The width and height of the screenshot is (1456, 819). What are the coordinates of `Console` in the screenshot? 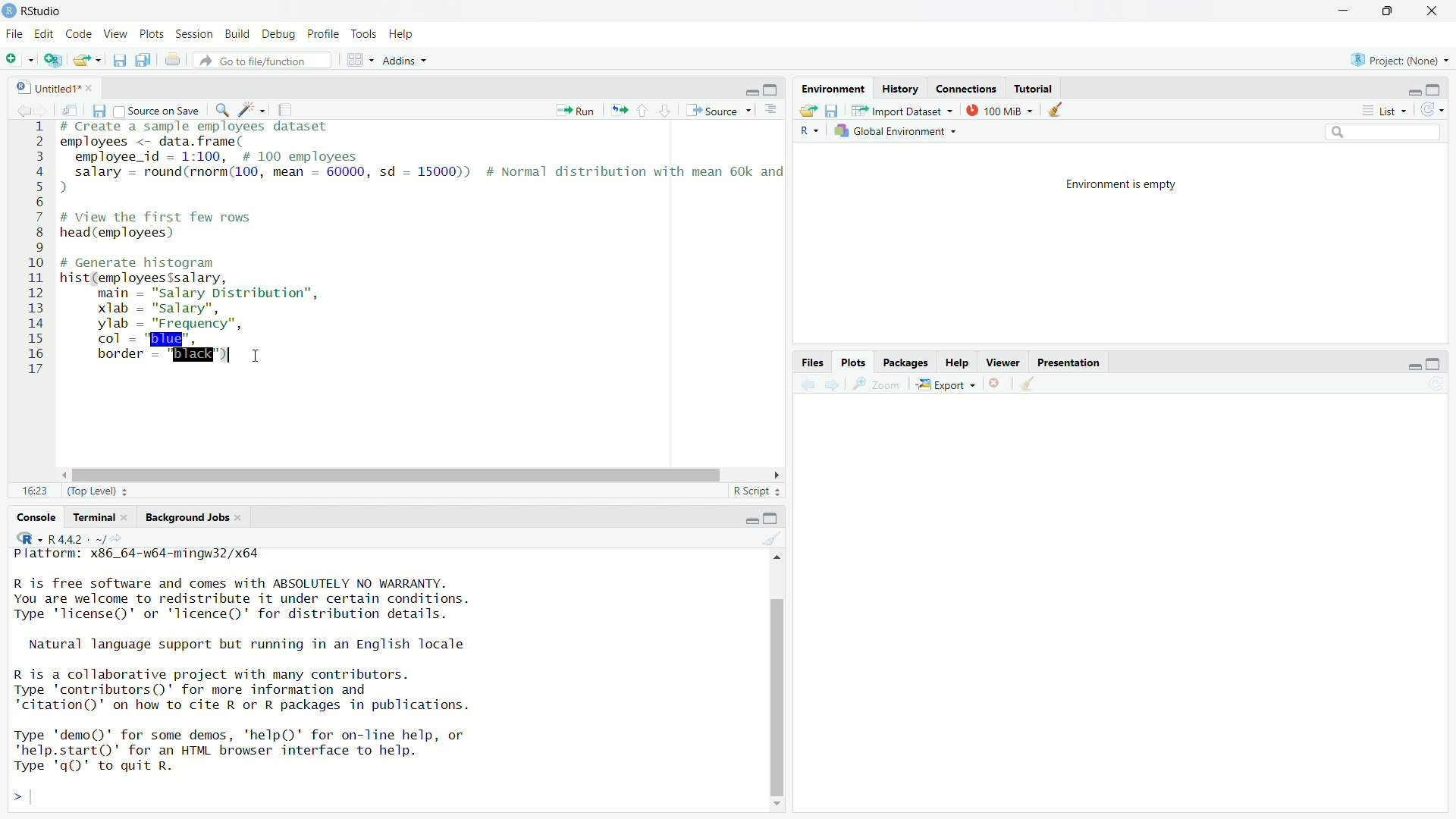 It's located at (38, 517).